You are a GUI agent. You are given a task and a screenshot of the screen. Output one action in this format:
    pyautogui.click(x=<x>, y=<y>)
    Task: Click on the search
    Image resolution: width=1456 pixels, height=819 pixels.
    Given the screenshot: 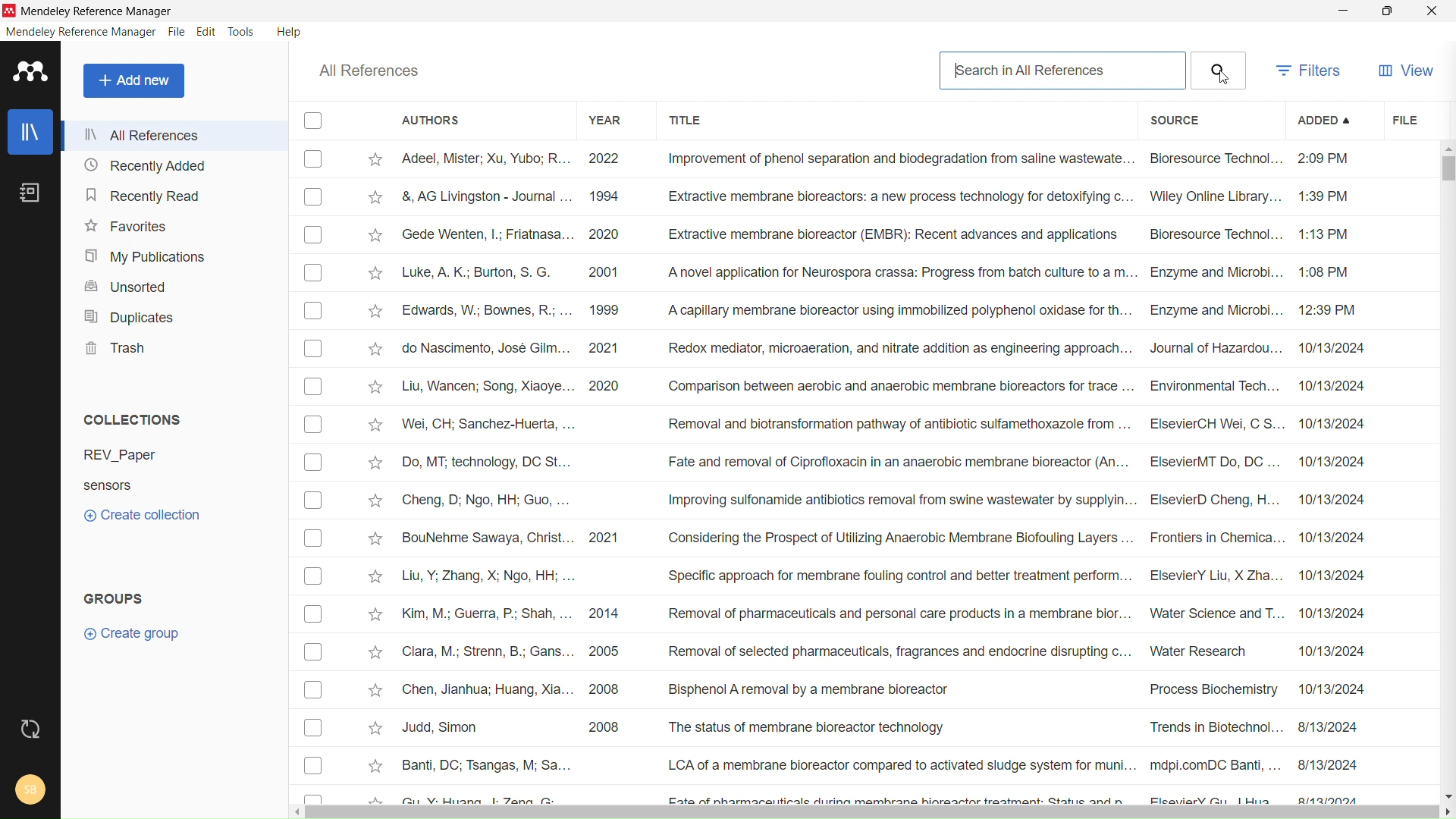 What is the action you would take?
    pyautogui.click(x=1062, y=68)
    